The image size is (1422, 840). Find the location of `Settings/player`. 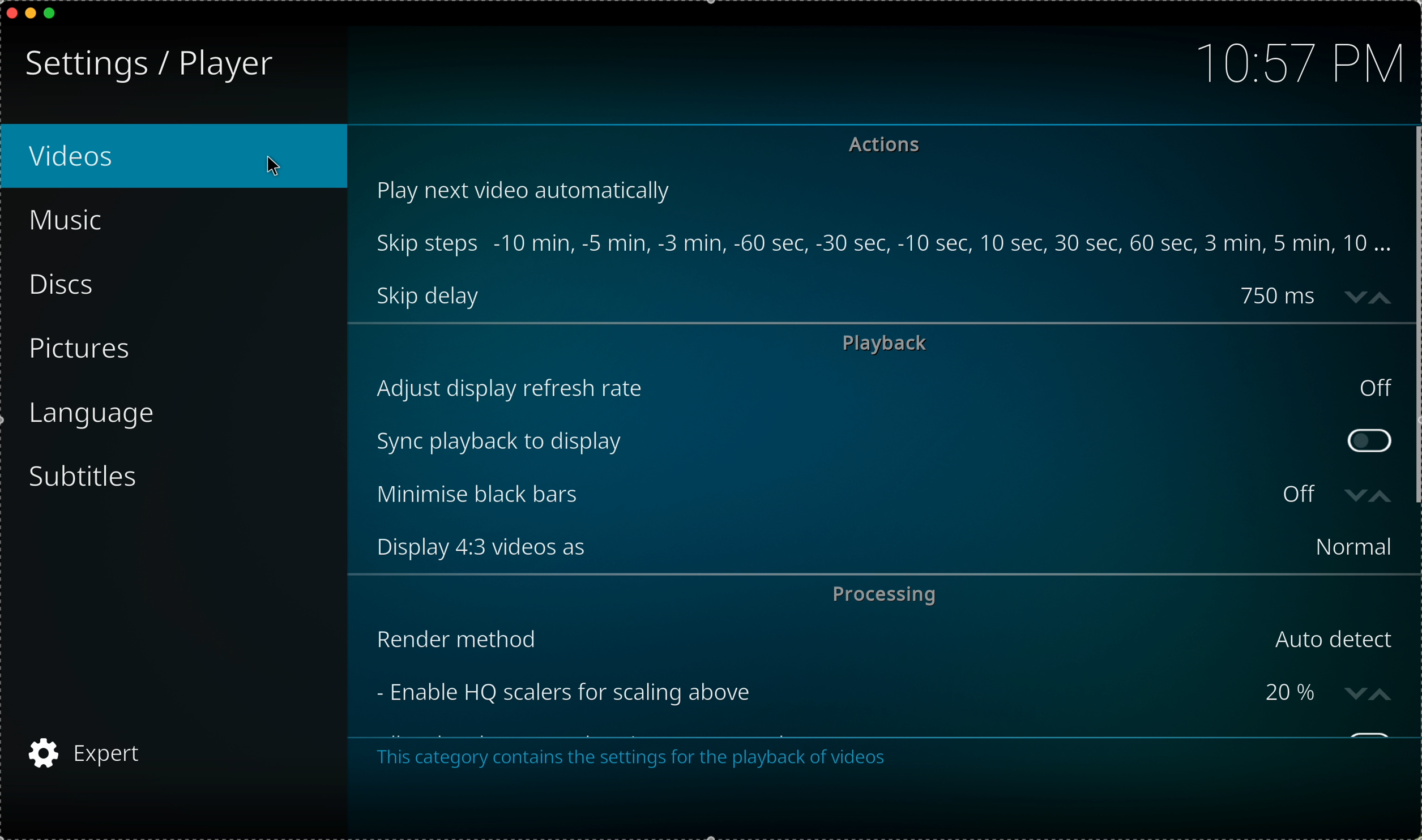

Settings/player is located at coordinates (145, 66).